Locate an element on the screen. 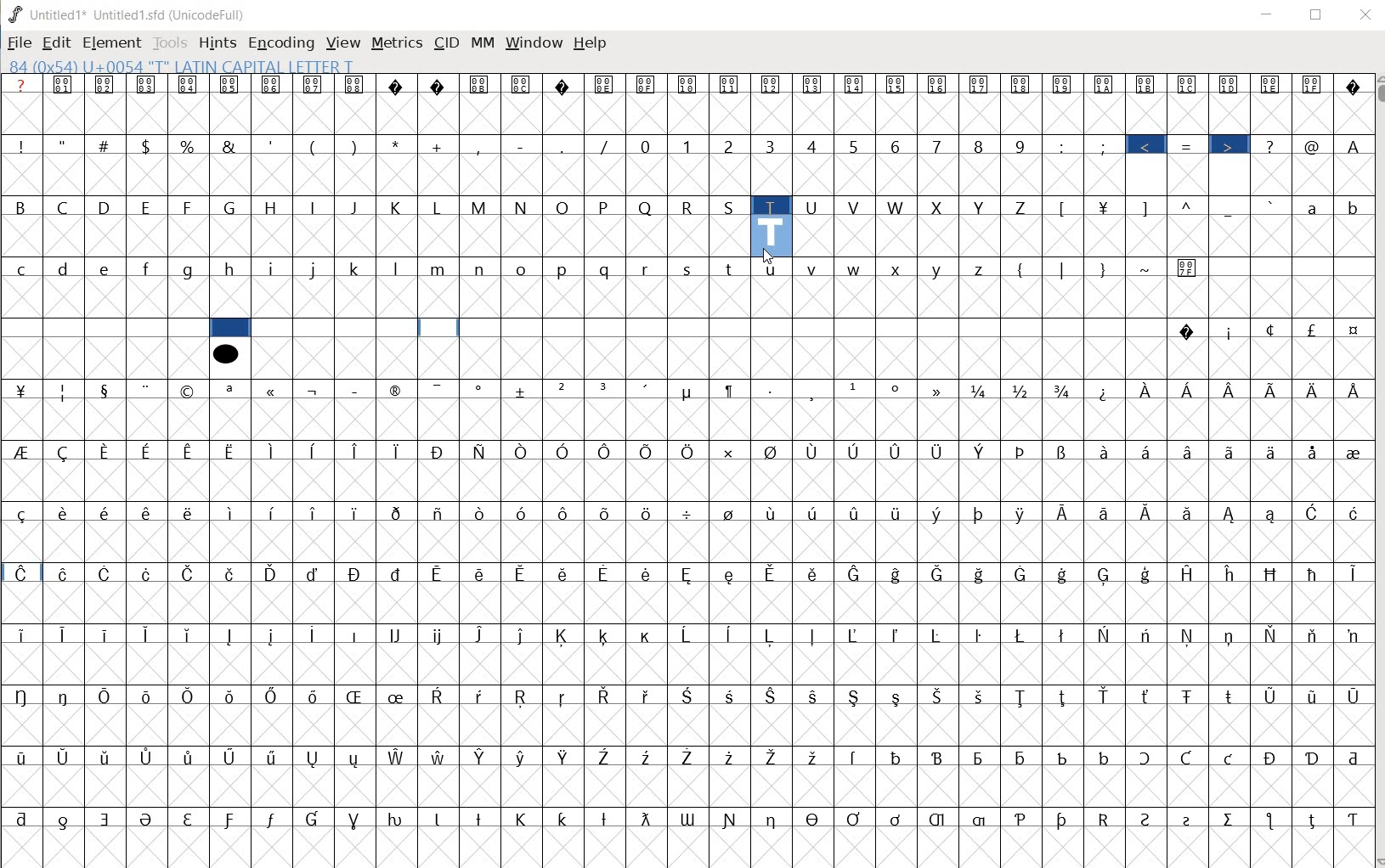 The image size is (1385, 868). l is located at coordinates (399, 268).